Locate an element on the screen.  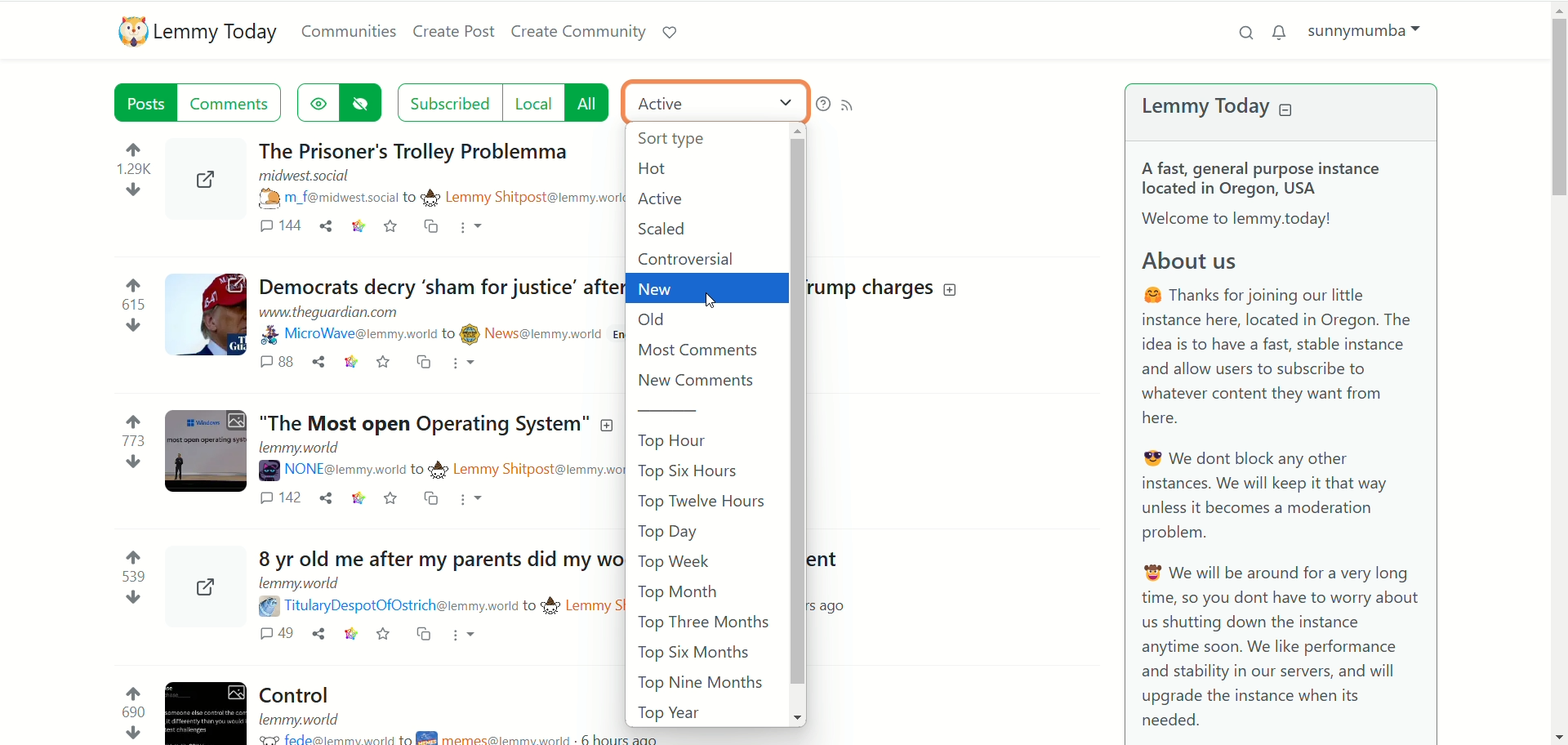
cross post is located at coordinates (434, 503).